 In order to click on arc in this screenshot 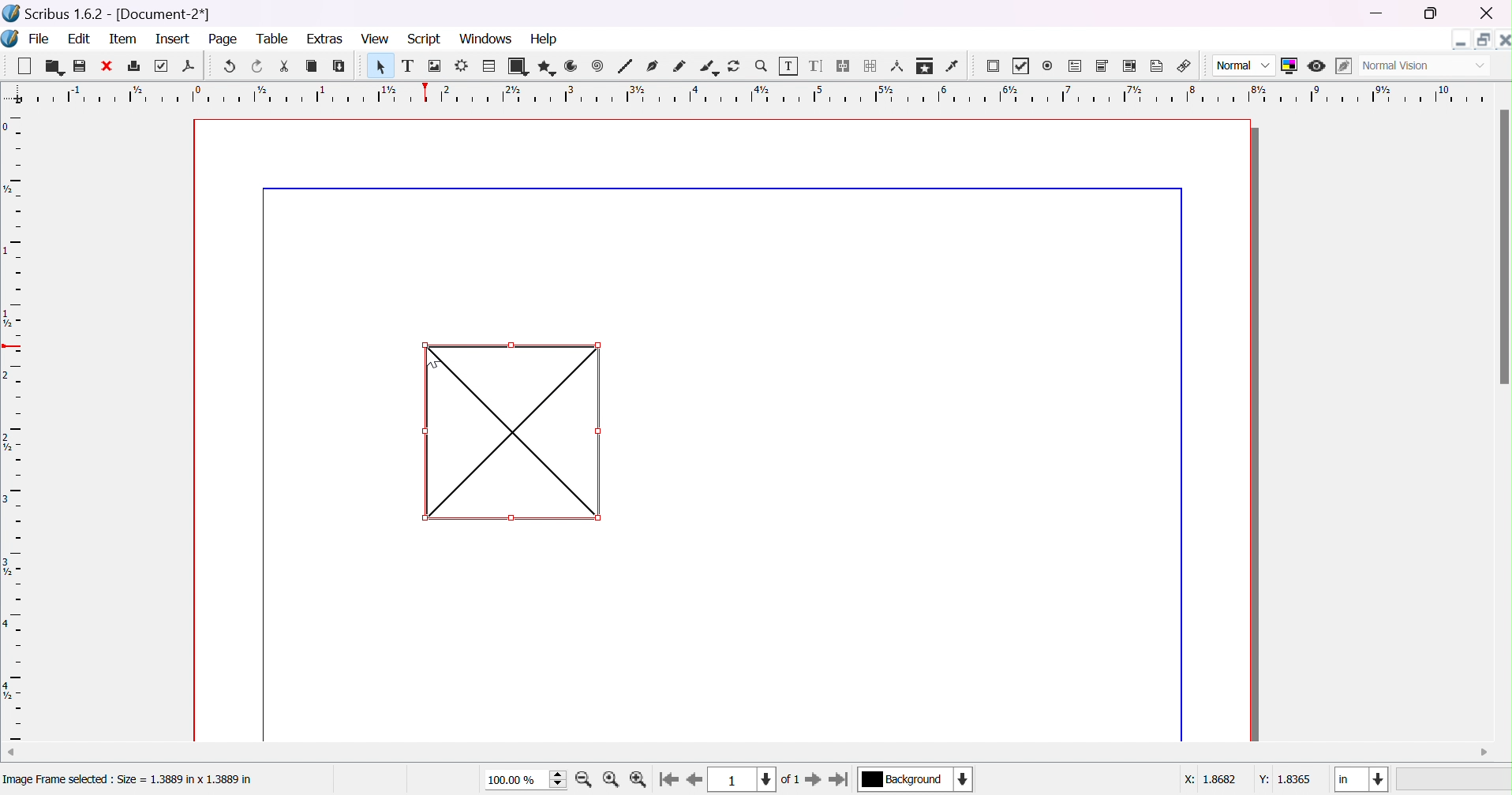, I will do `click(572, 65)`.